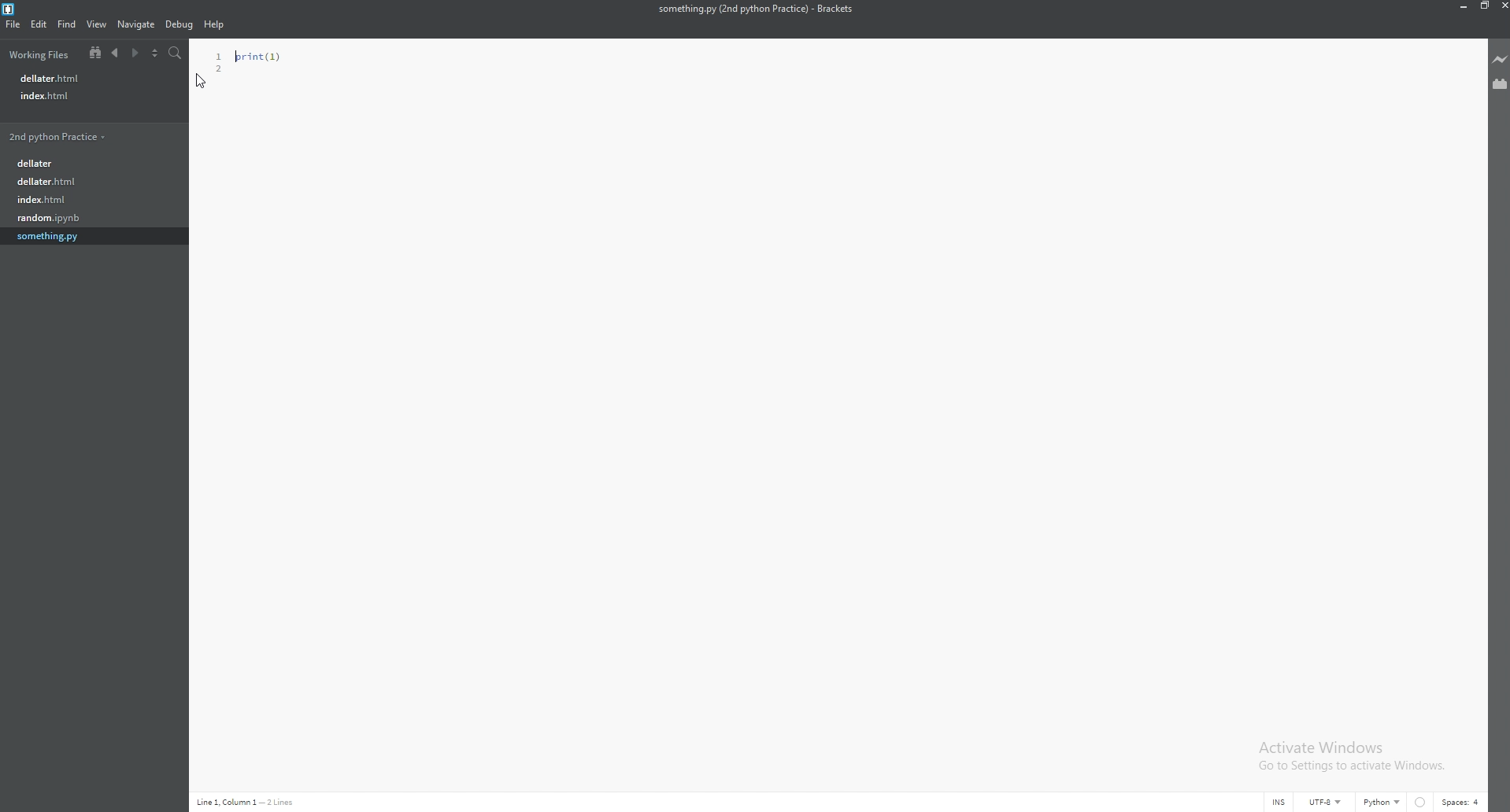 The width and height of the screenshot is (1510, 812). I want to click on Cursor, so click(201, 83).